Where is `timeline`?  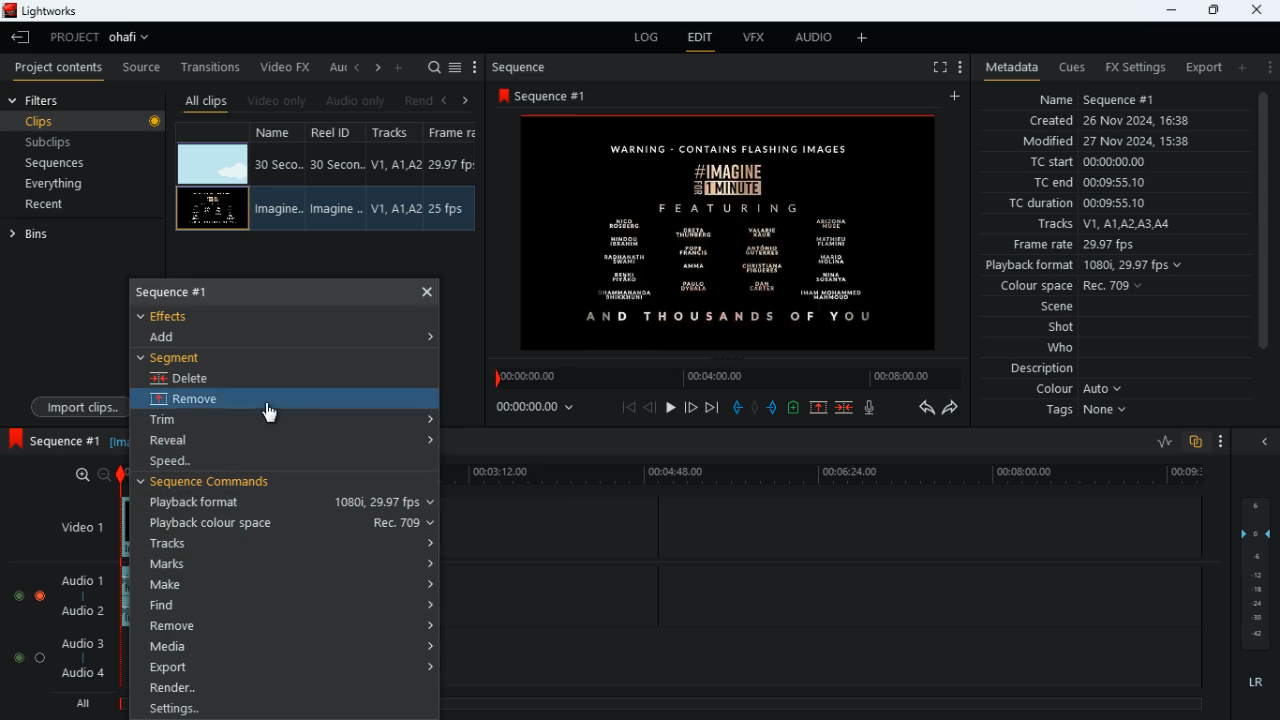
timeline is located at coordinates (730, 376).